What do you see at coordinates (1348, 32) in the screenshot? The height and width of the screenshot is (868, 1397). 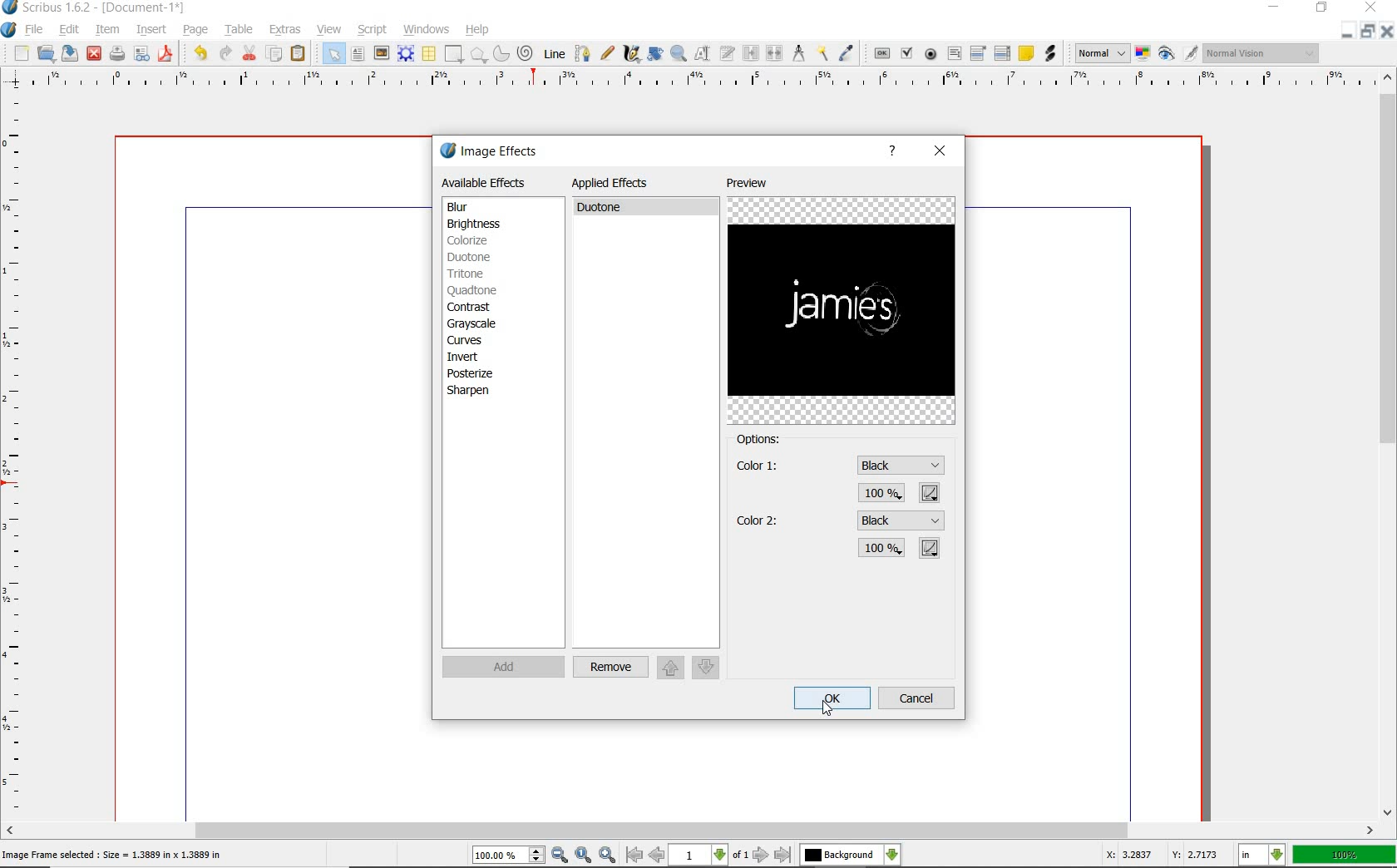 I see `MINIMIZE` at bounding box center [1348, 32].